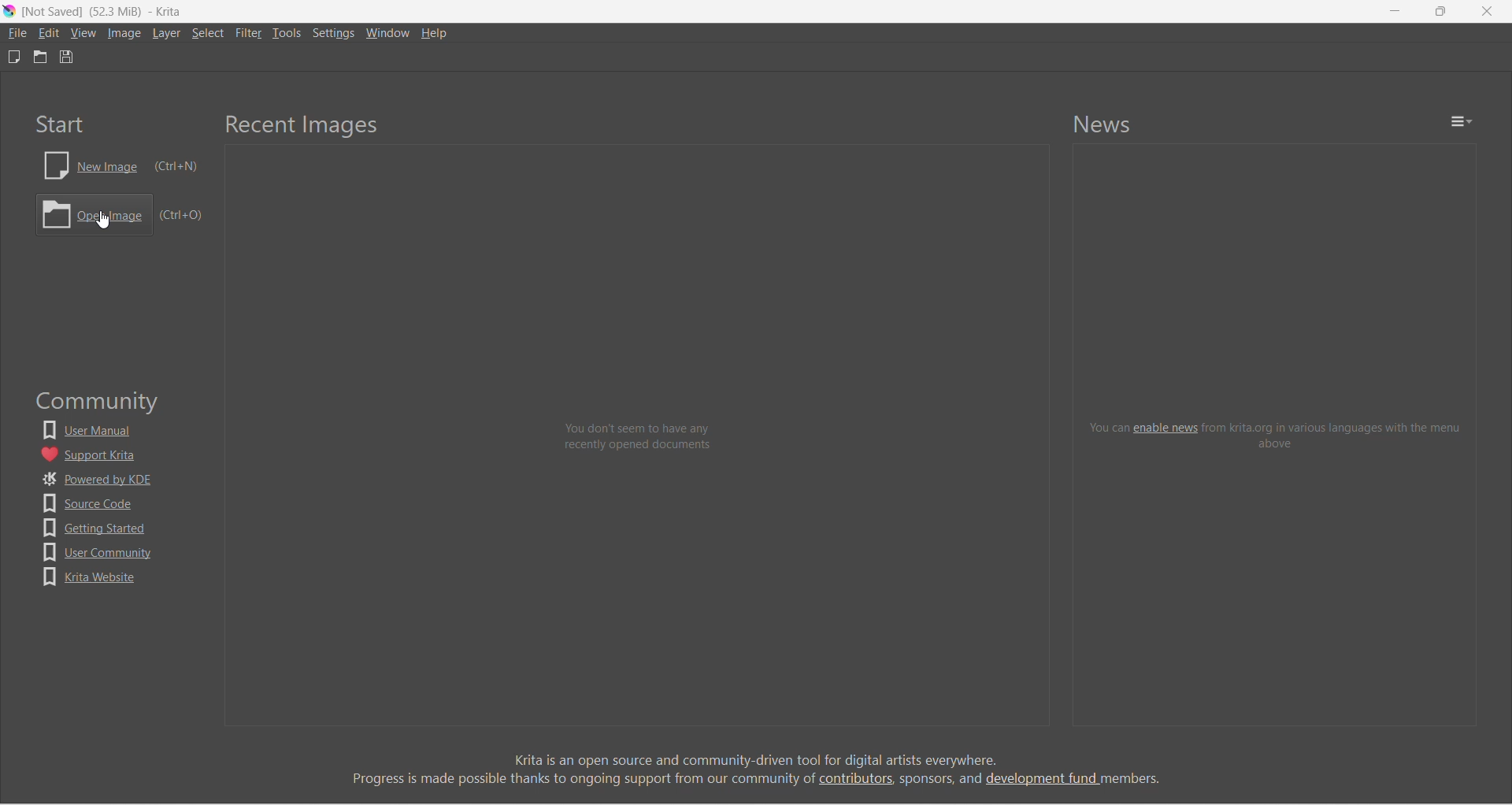  I want to click on window, so click(390, 32).